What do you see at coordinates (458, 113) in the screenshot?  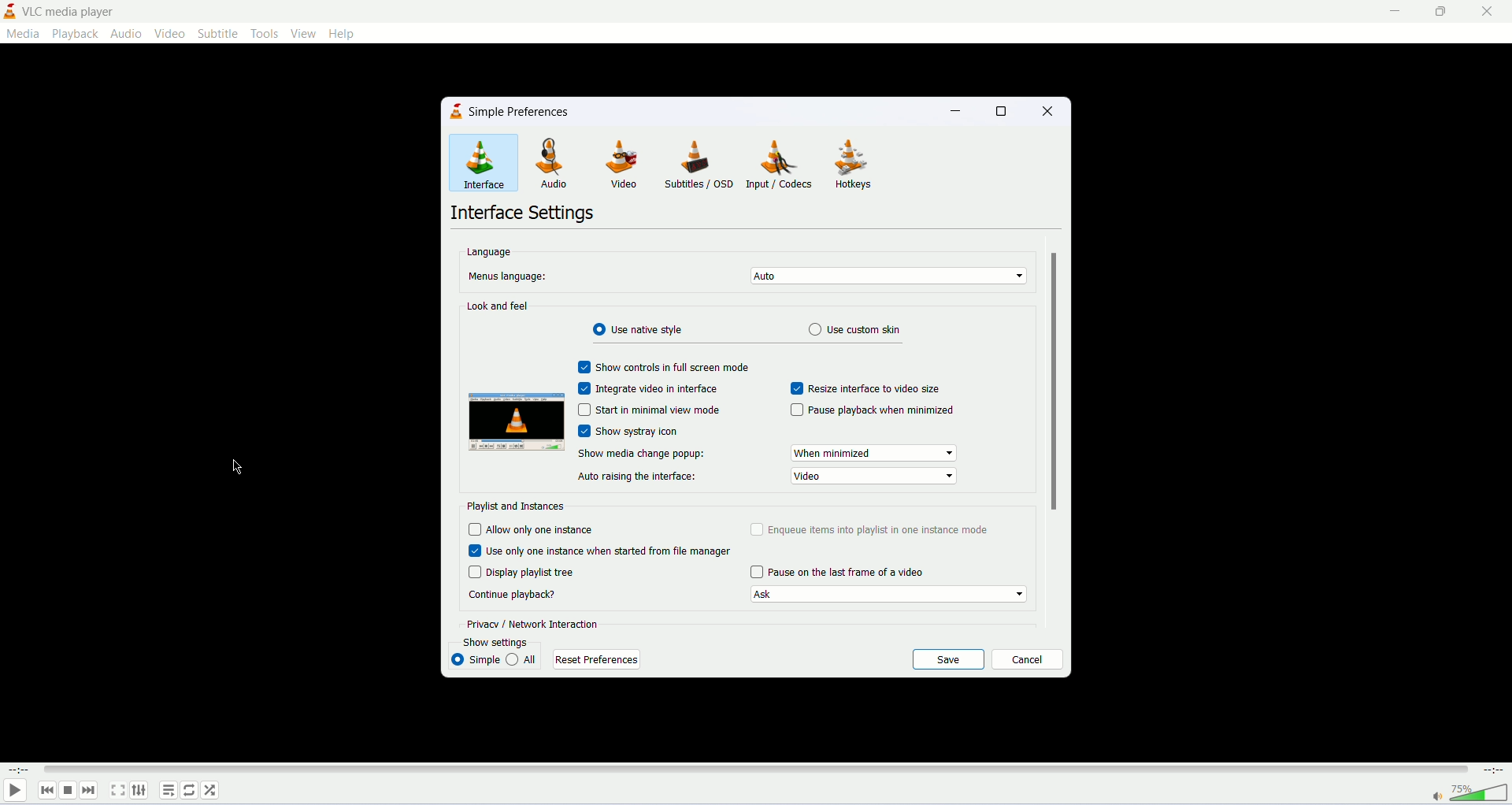 I see `icon` at bounding box center [458, 113].